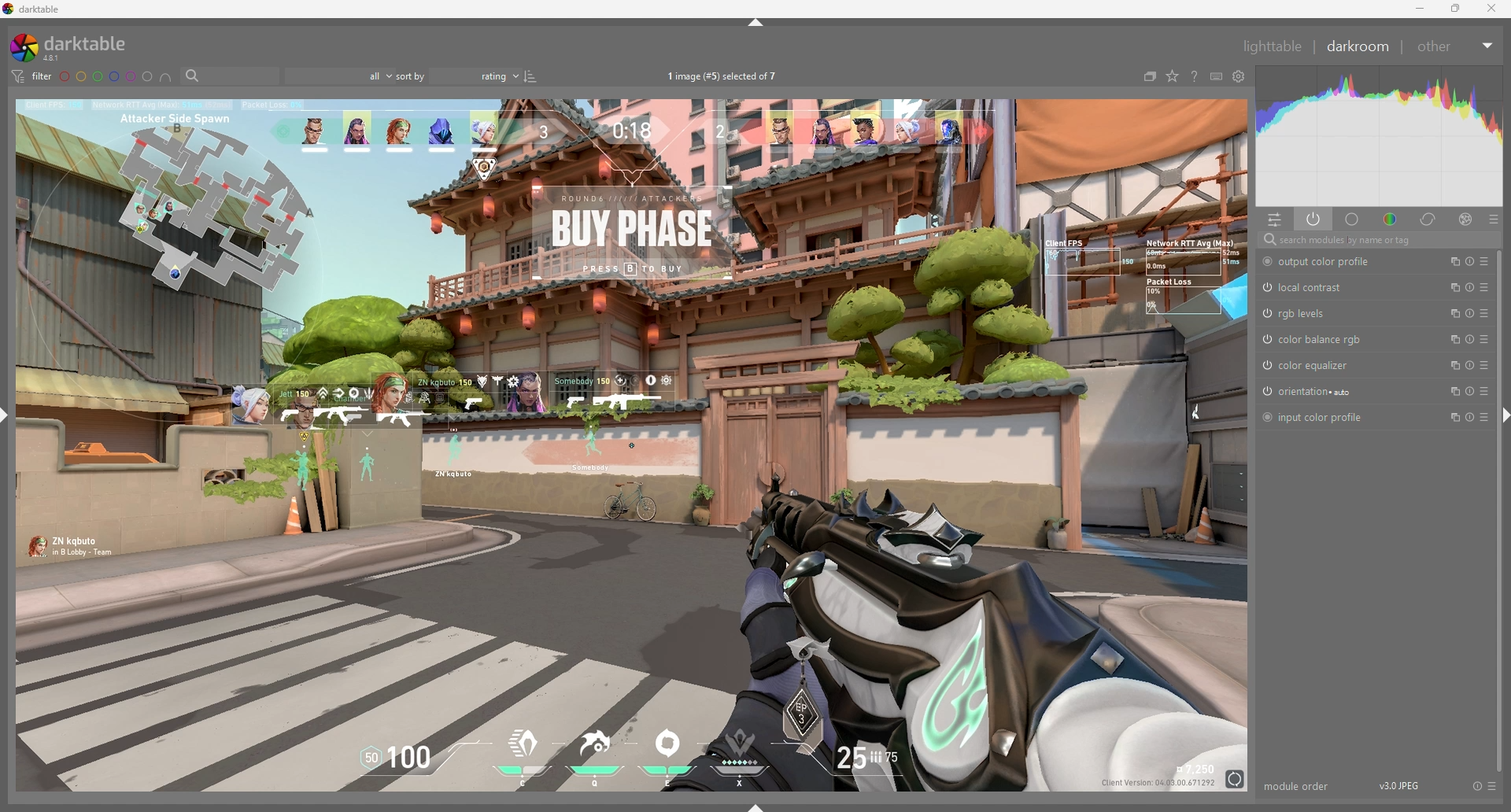 This screenshot has height=812, width=1511. I want to click on module order, so click(1297, 786).